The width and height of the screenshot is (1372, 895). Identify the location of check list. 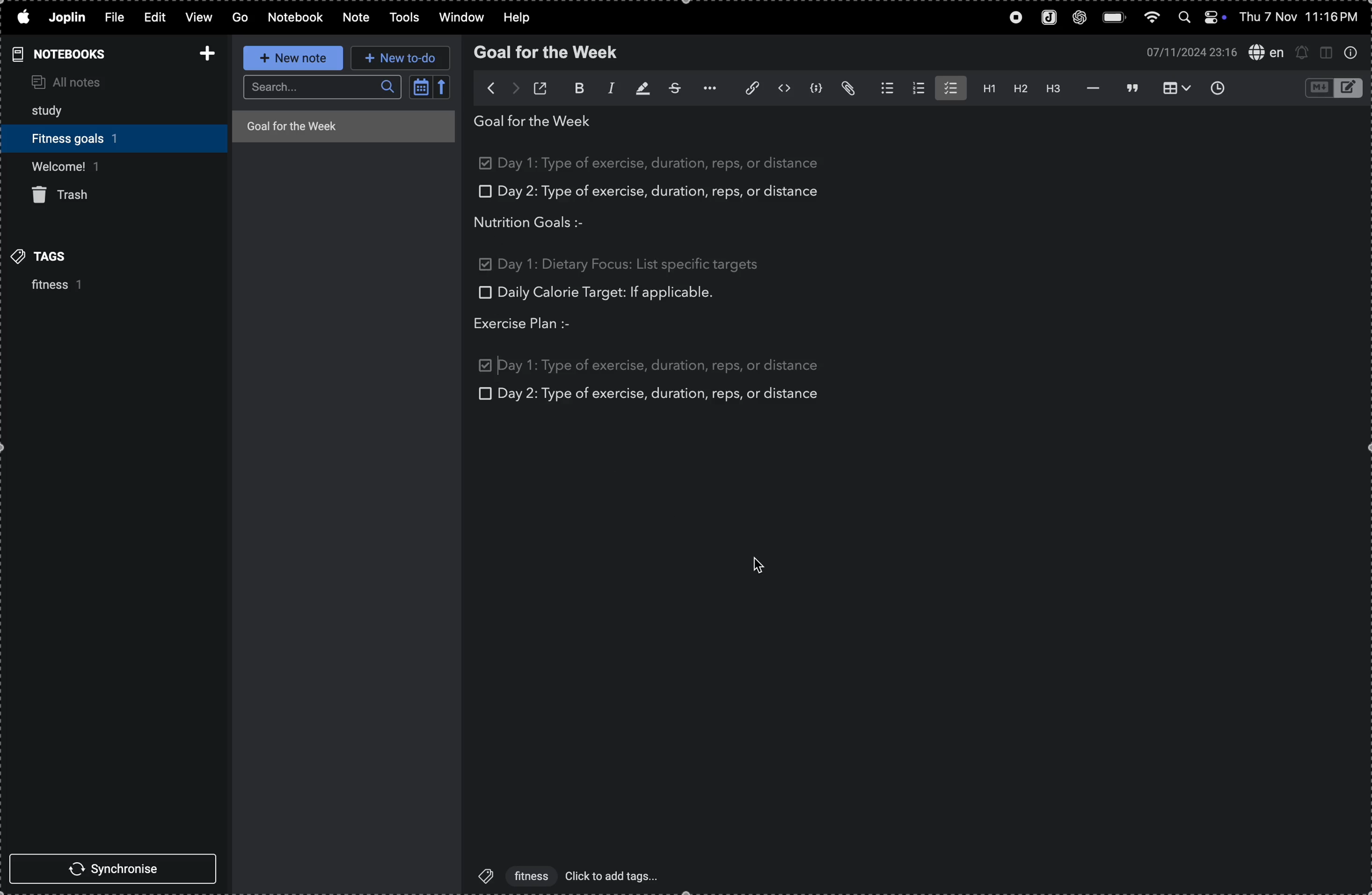
(949, 88).